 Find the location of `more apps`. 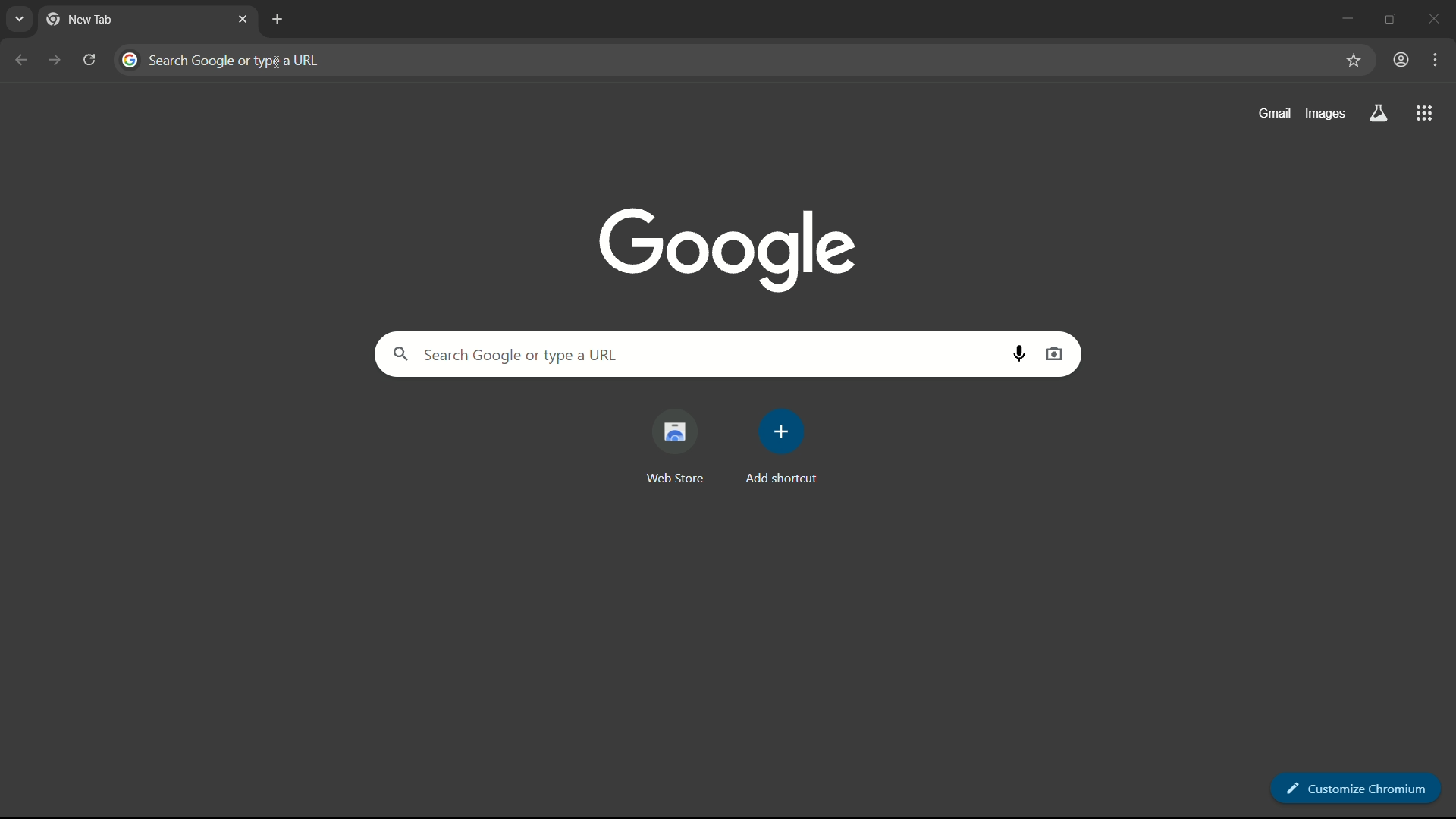

more apps is located at coordinates (1423, 114).